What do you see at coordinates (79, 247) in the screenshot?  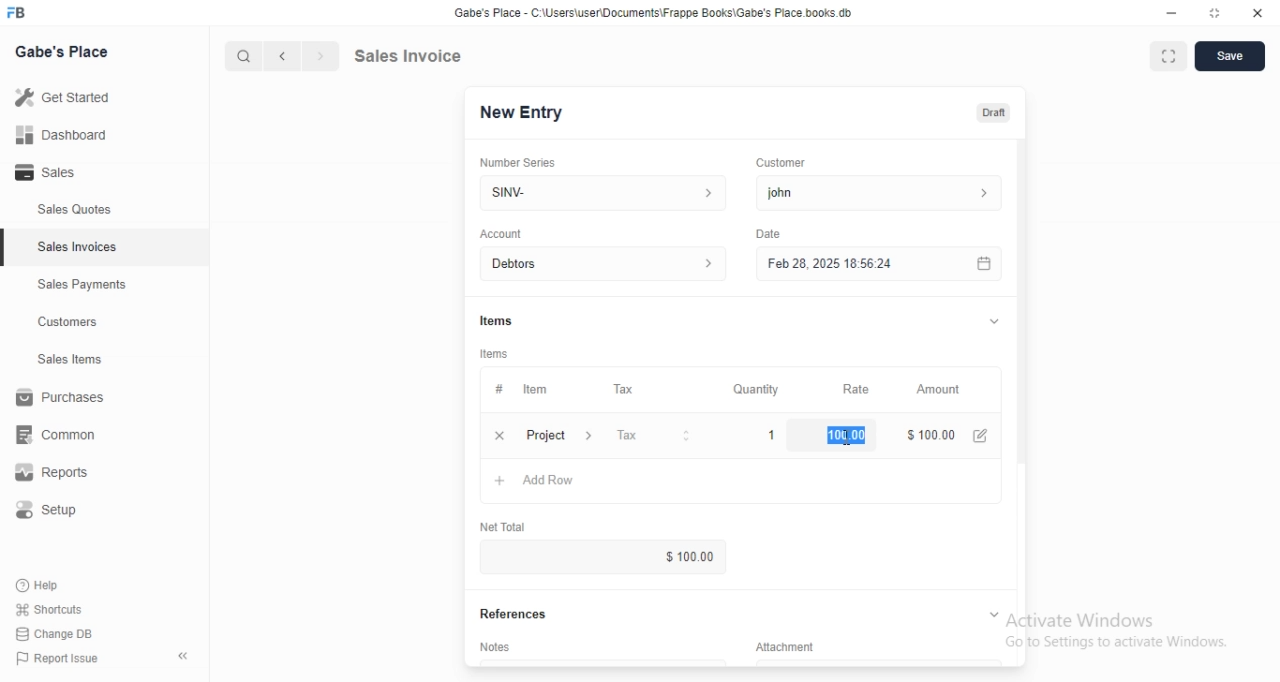 I see `Sales Invoices` at bounding box center [79, 247].